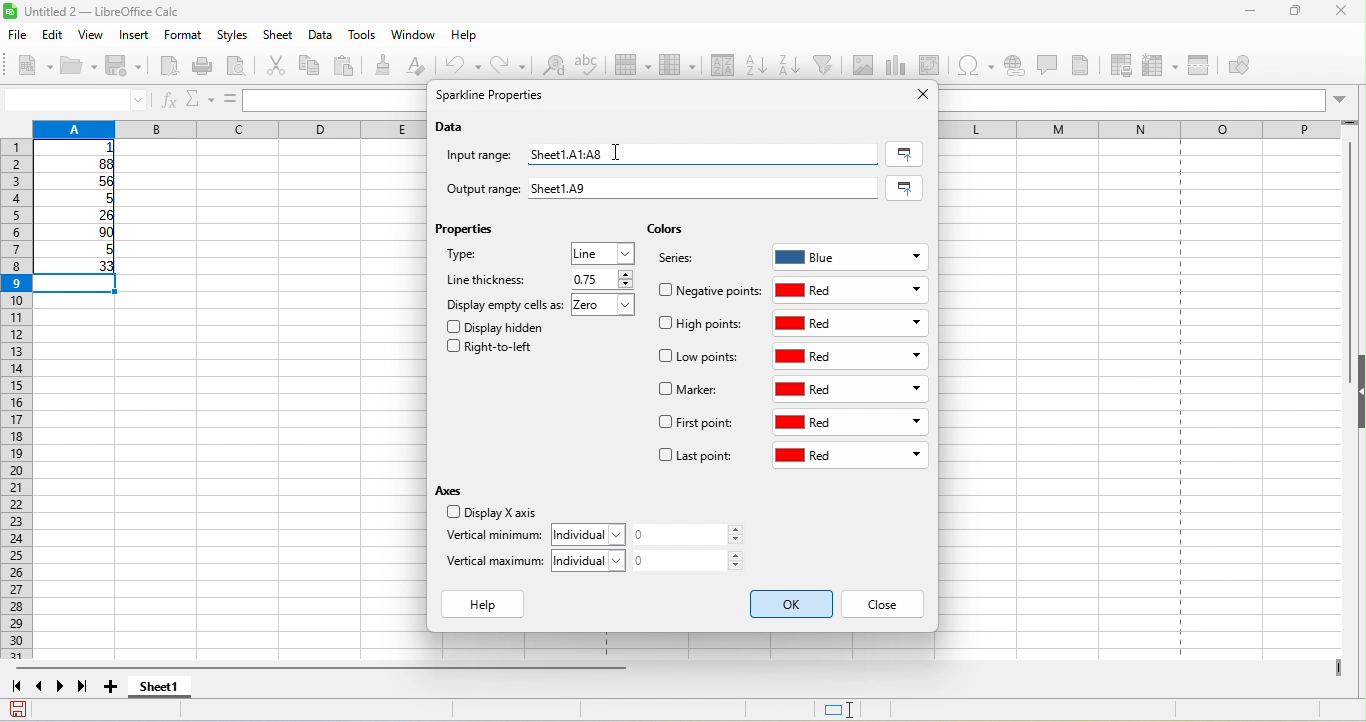 The width and height of the screenshot is (1366, 722). I want to click on format, so click(181, 36).